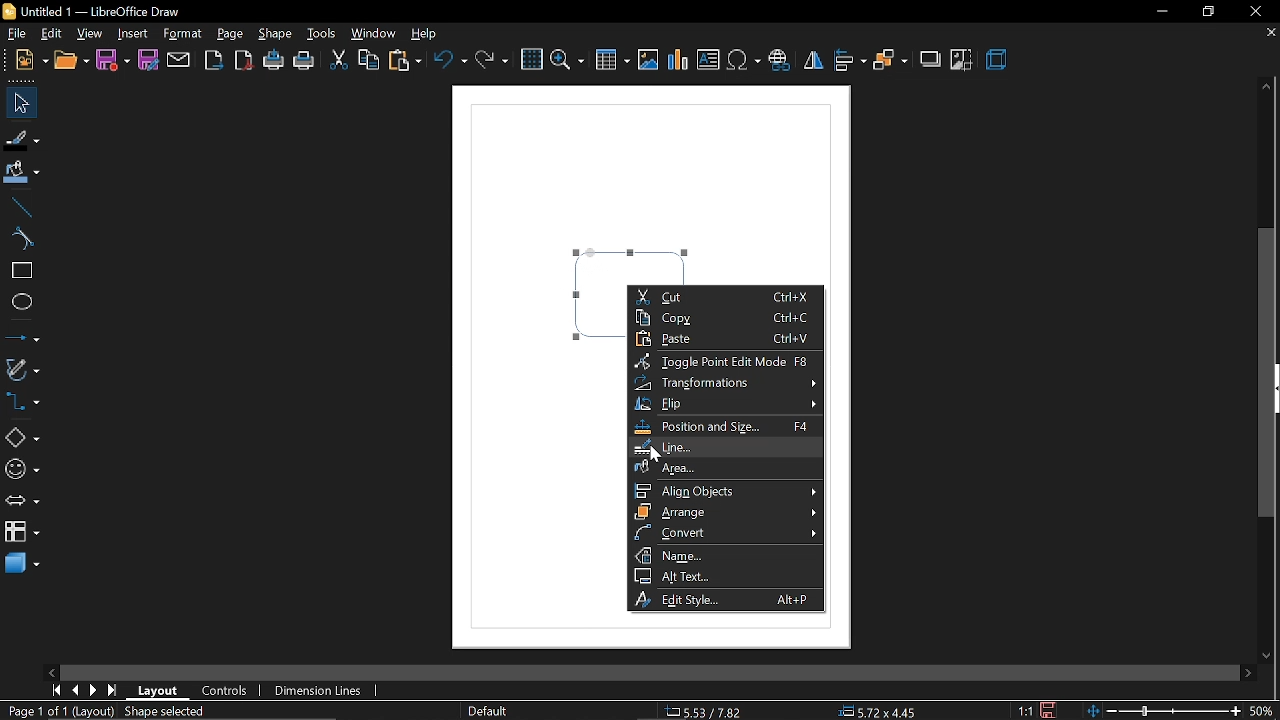 Image resolution: width=1280 pixels, height=720 pixels. What do you see at coordinates (22, 439) in the screenshot?
I see `basic shapes` at bounding box center [22, 439].